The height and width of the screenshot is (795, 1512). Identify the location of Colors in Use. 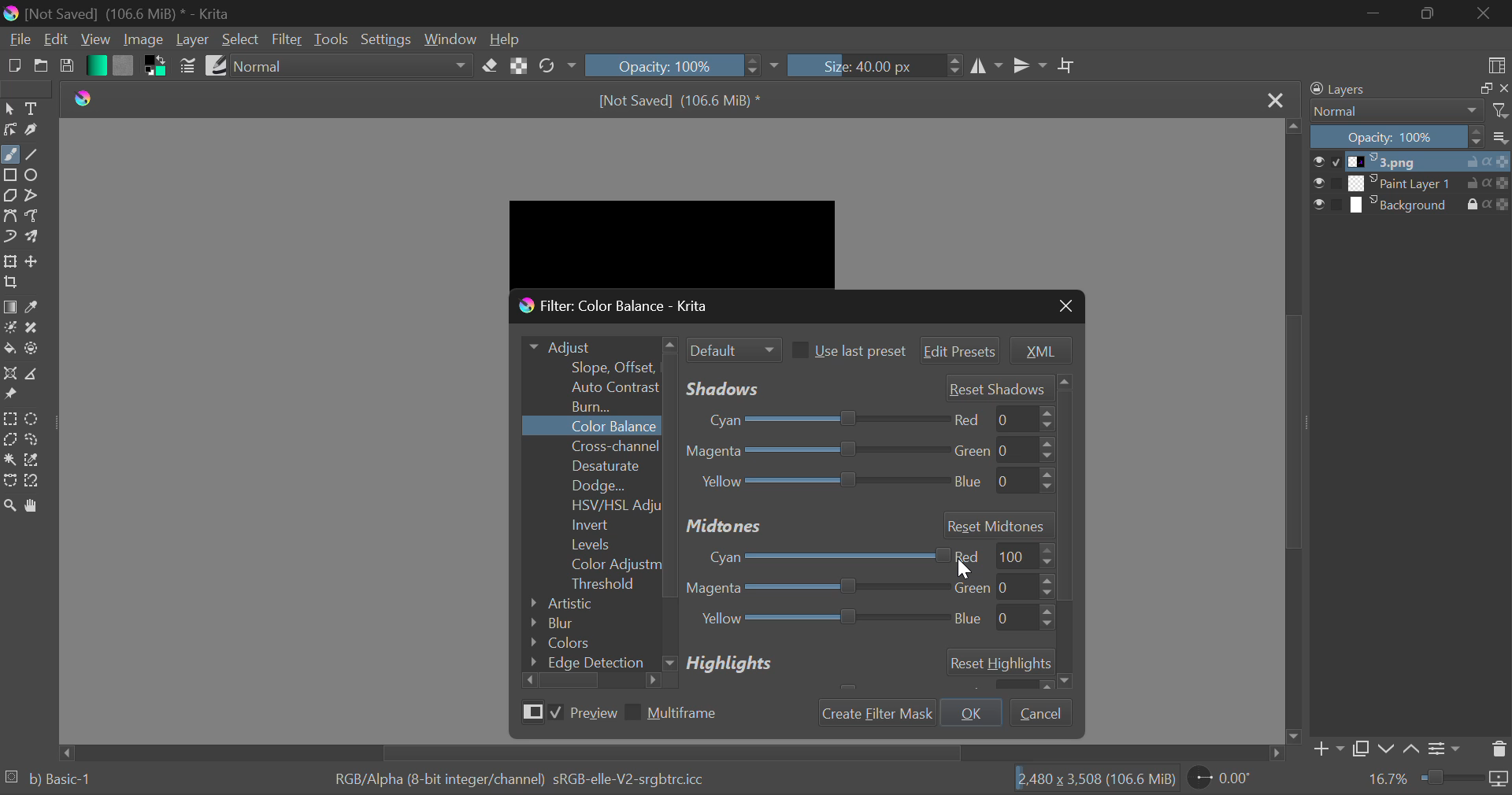
(156, 65).